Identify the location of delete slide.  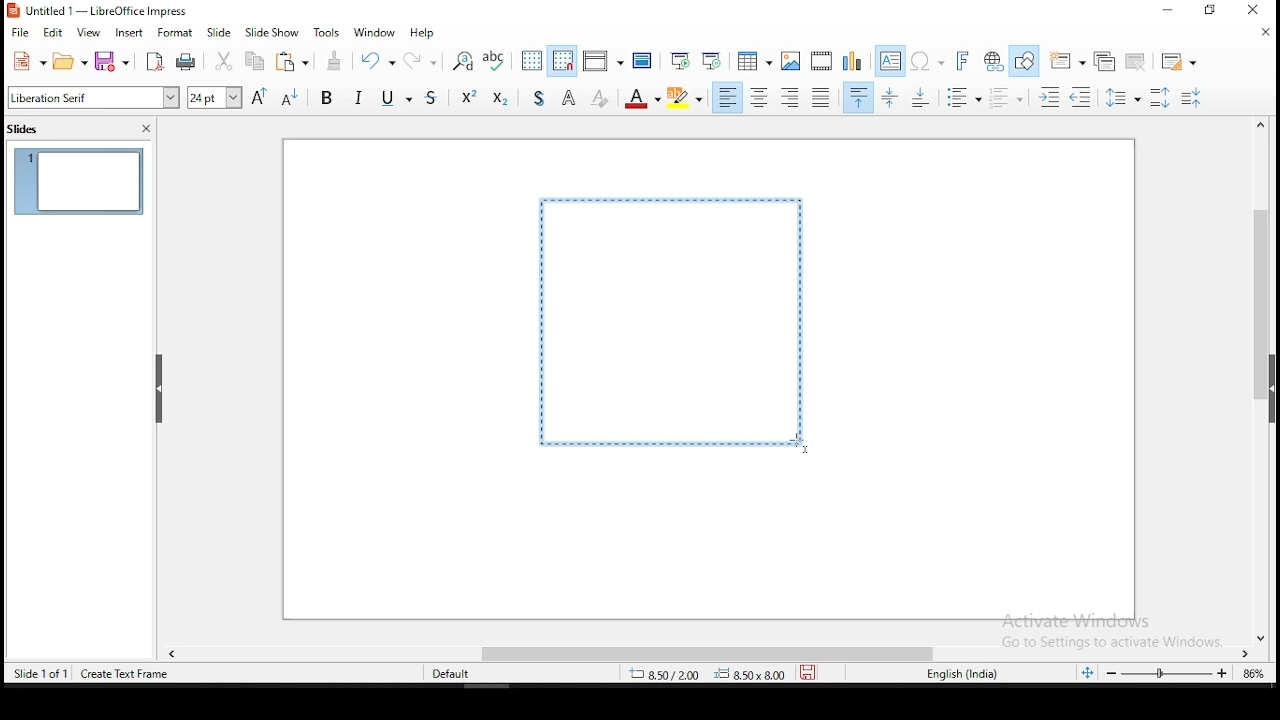
(1137, 59).